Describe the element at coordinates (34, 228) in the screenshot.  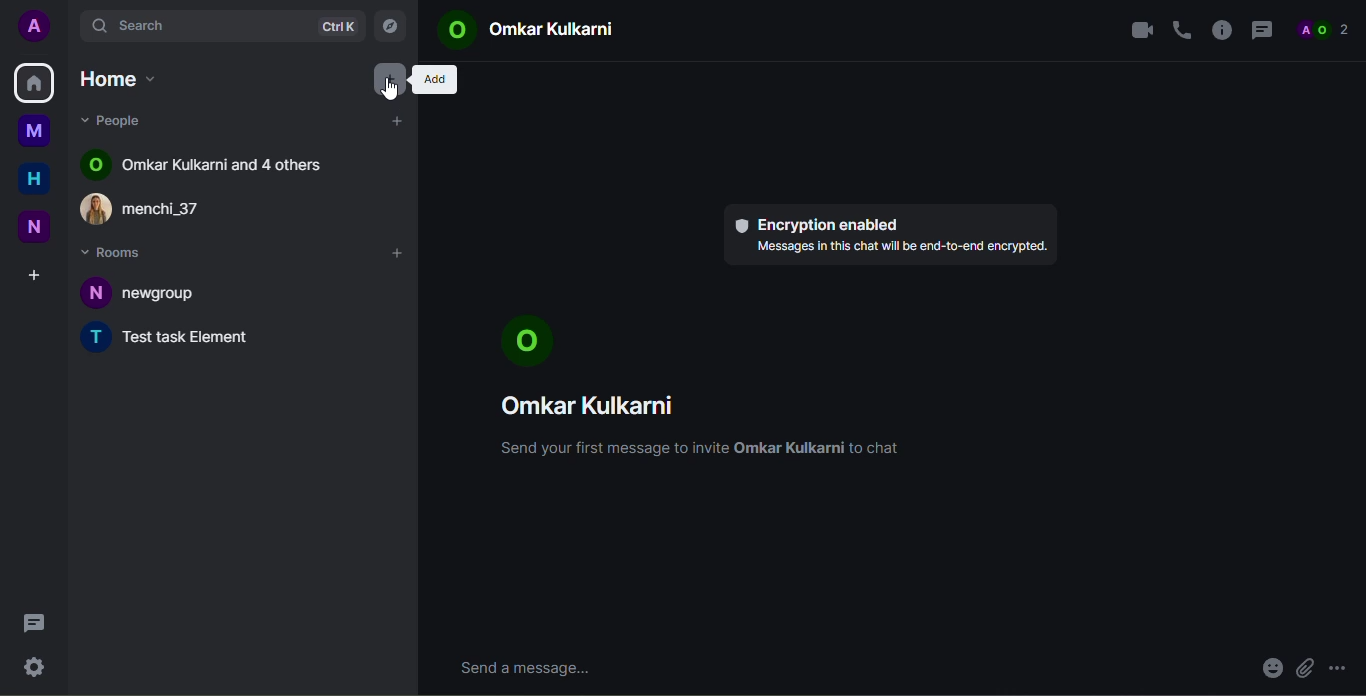
I see `new` at that location.